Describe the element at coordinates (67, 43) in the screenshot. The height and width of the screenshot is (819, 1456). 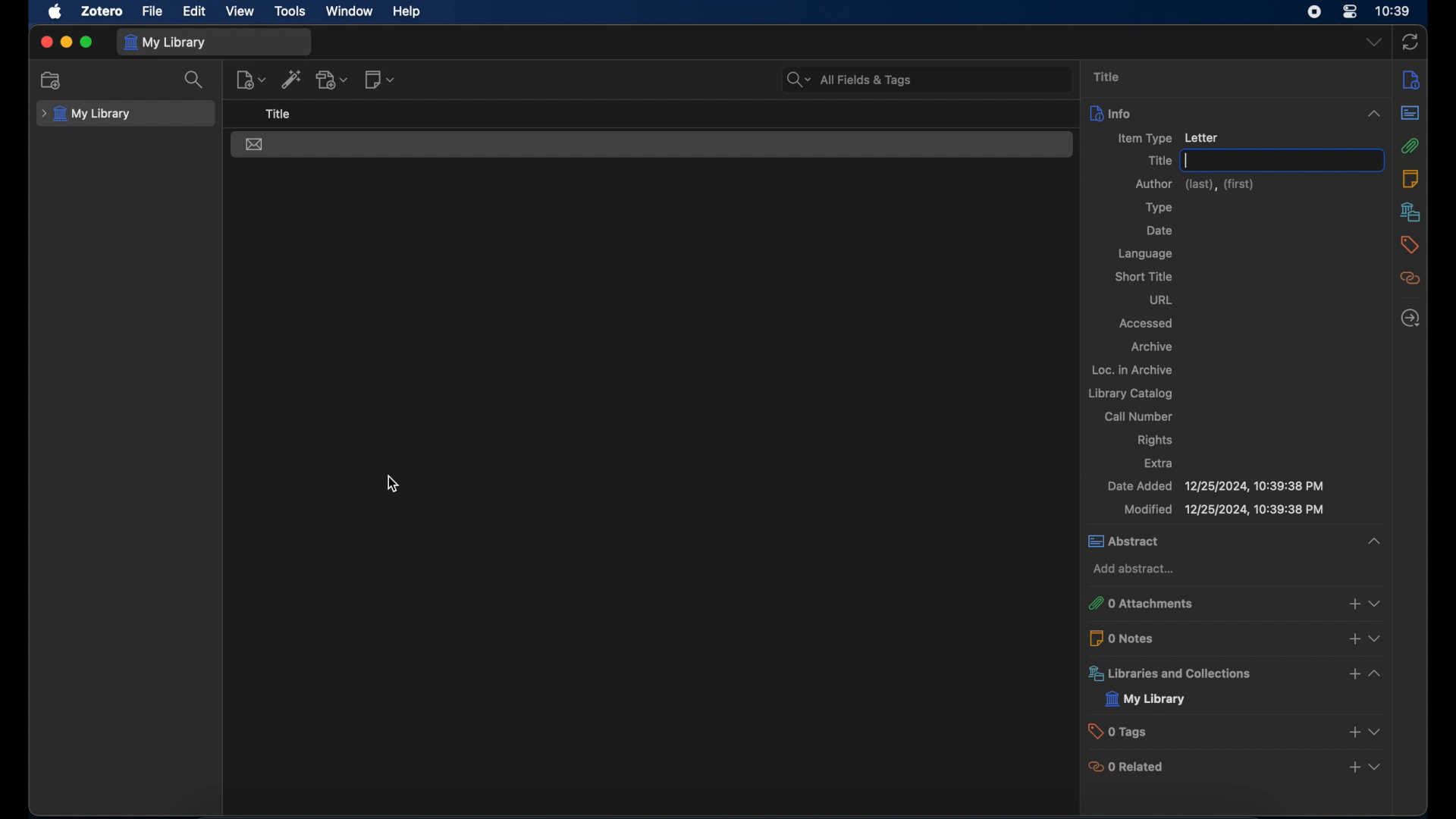
I see `minimize` at that location.